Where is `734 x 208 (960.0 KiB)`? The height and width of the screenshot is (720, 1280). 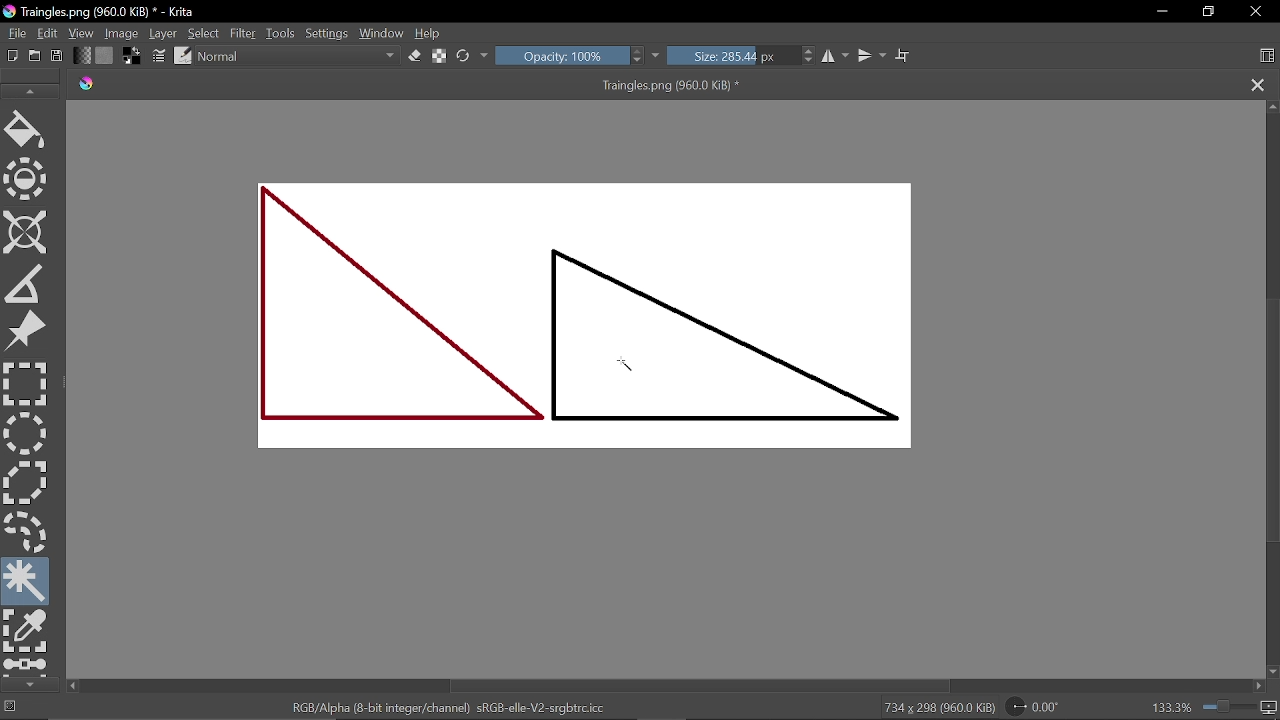
734 x 208 (960.0 KiB) is located at coordinates (939, 707).